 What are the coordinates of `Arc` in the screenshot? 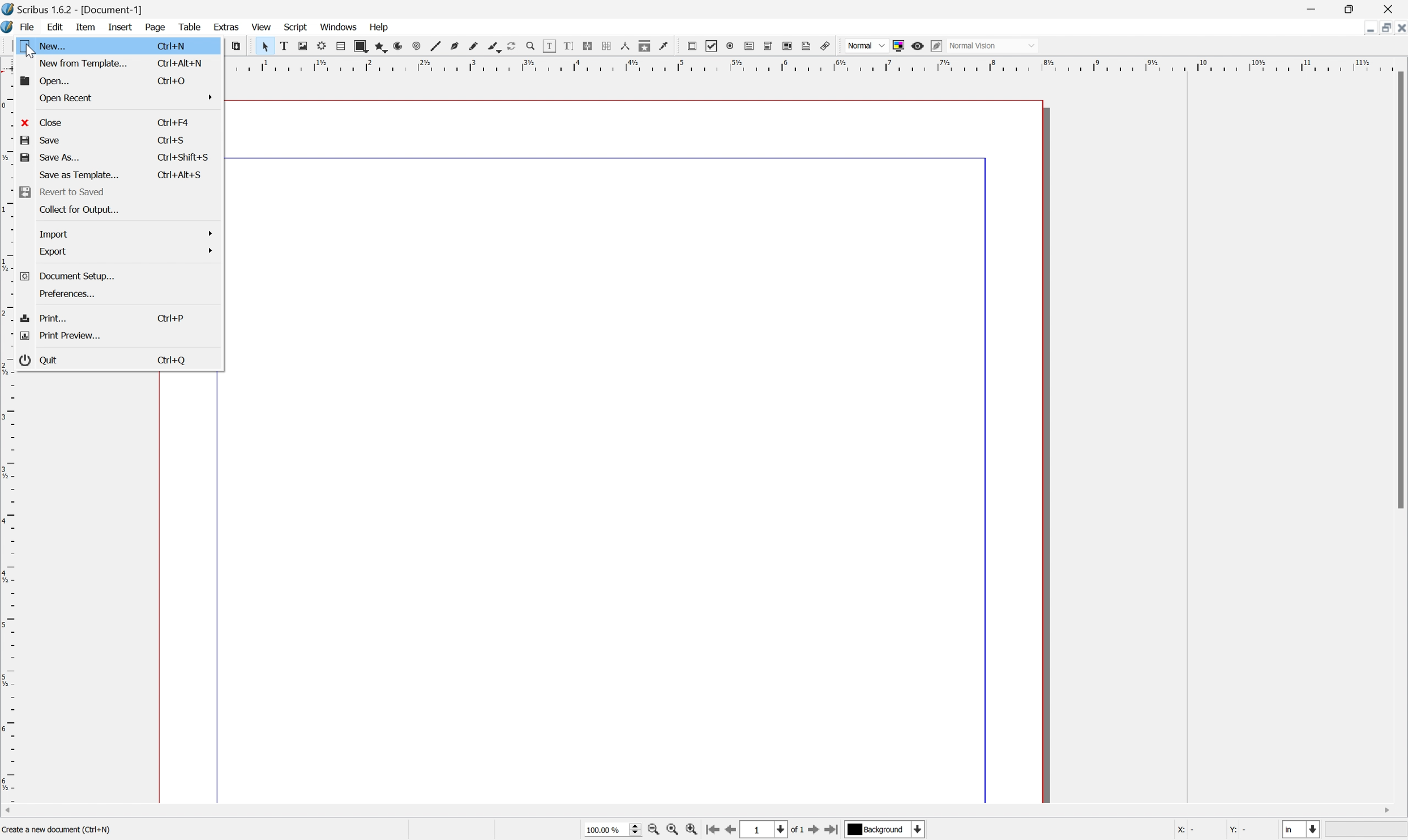 It's located at (396, 46).